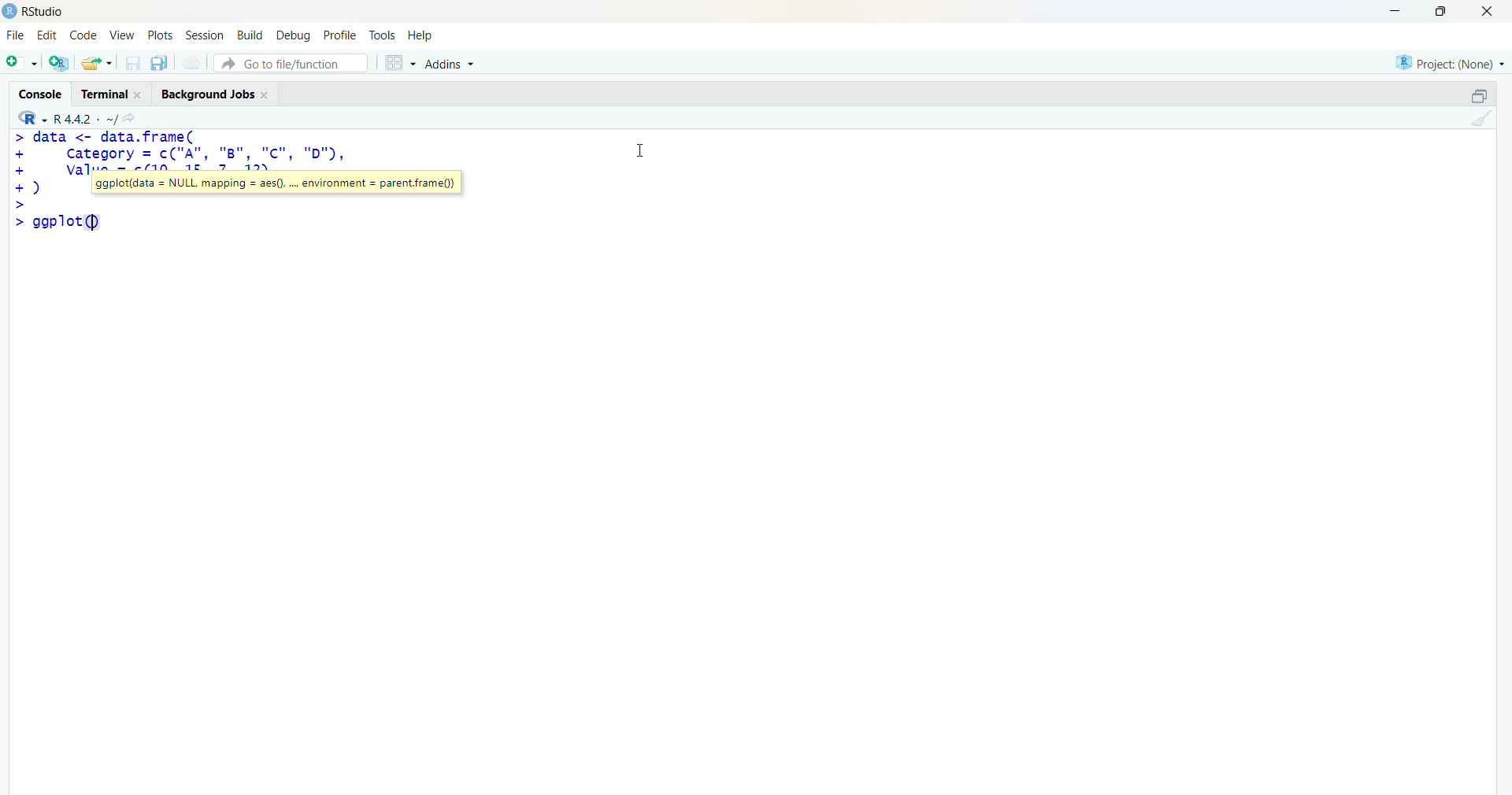  Describe the element at coordinates (1479, 118) in the screenshot. I see `clear console` at that location.